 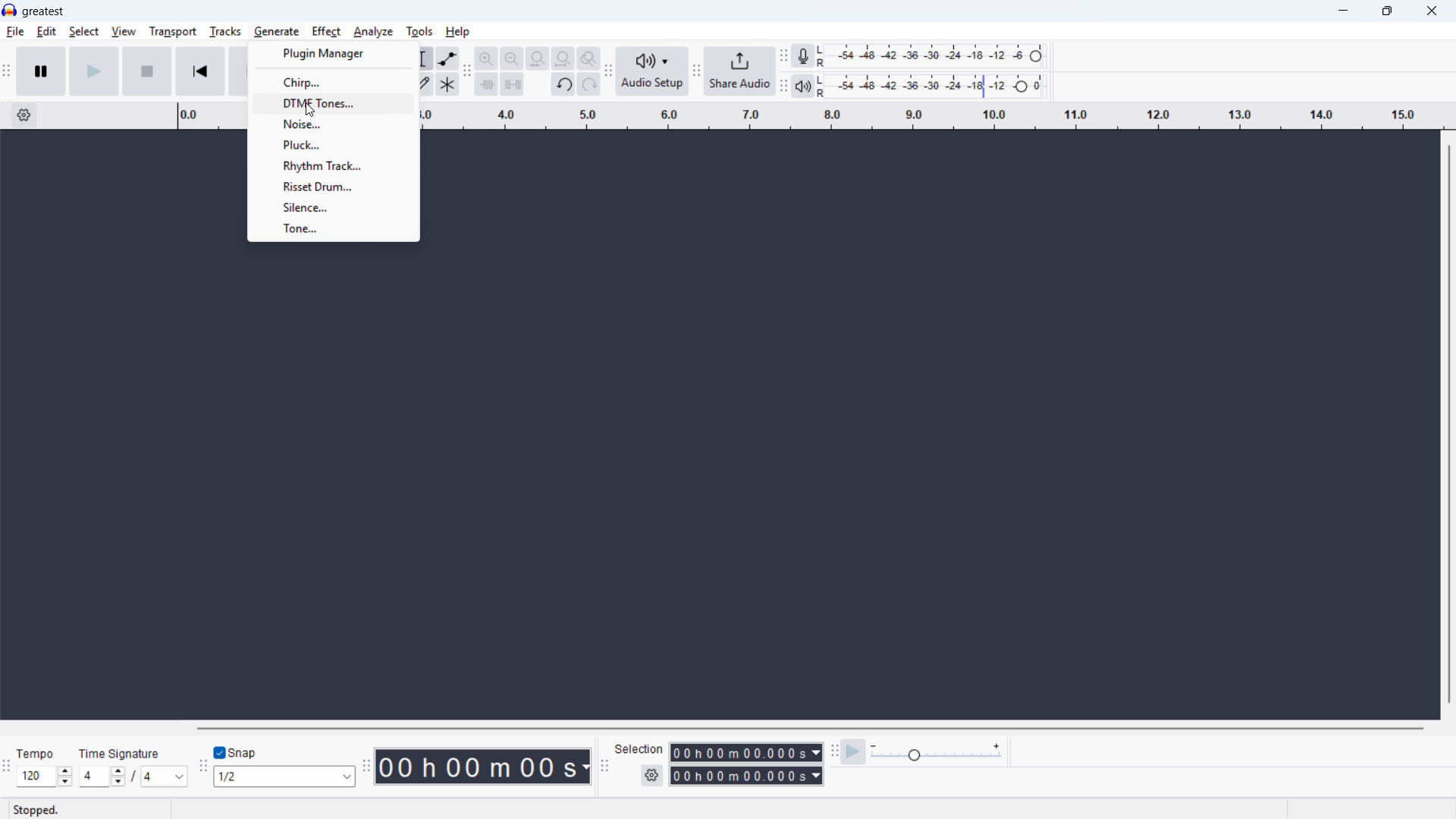 What do you see at coordinates (1450, 425) in the screenshot?
I see `vertical scrollbar` at bounding box center [1450, 425].